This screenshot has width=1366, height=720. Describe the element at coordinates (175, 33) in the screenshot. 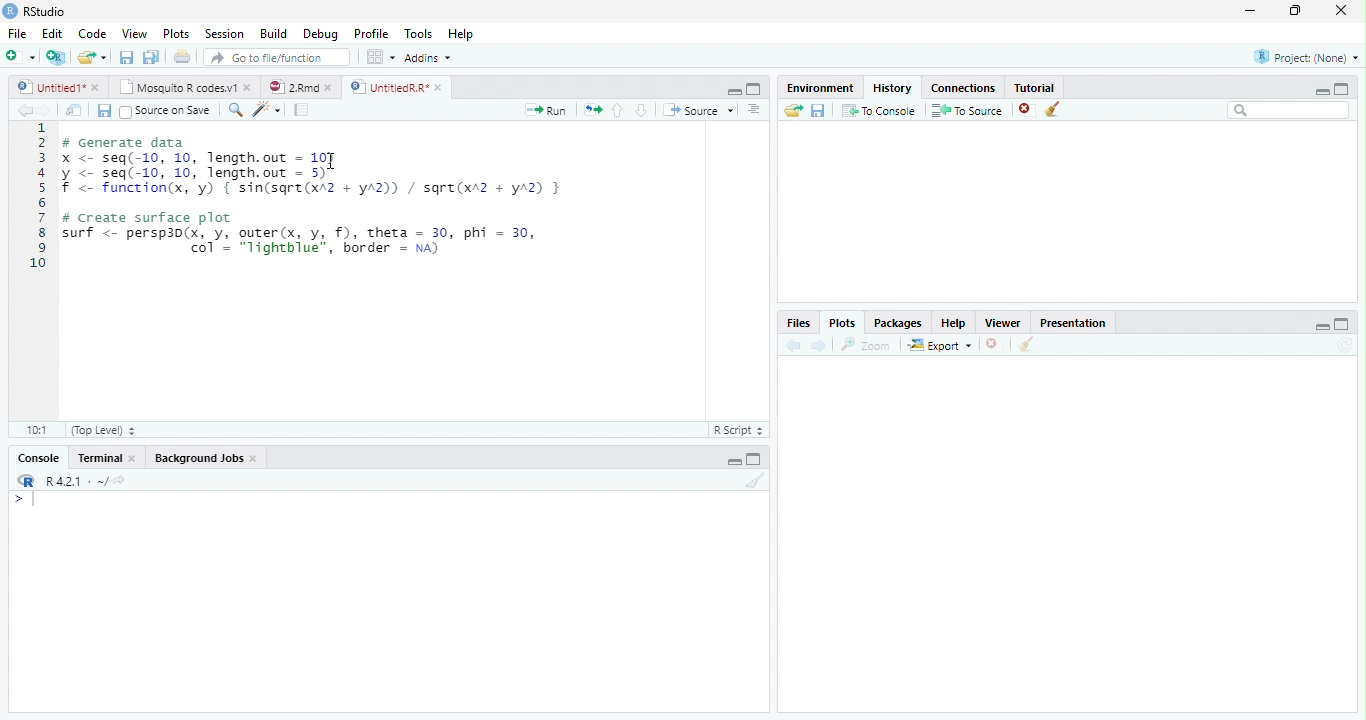

I see `Plots` at that location.